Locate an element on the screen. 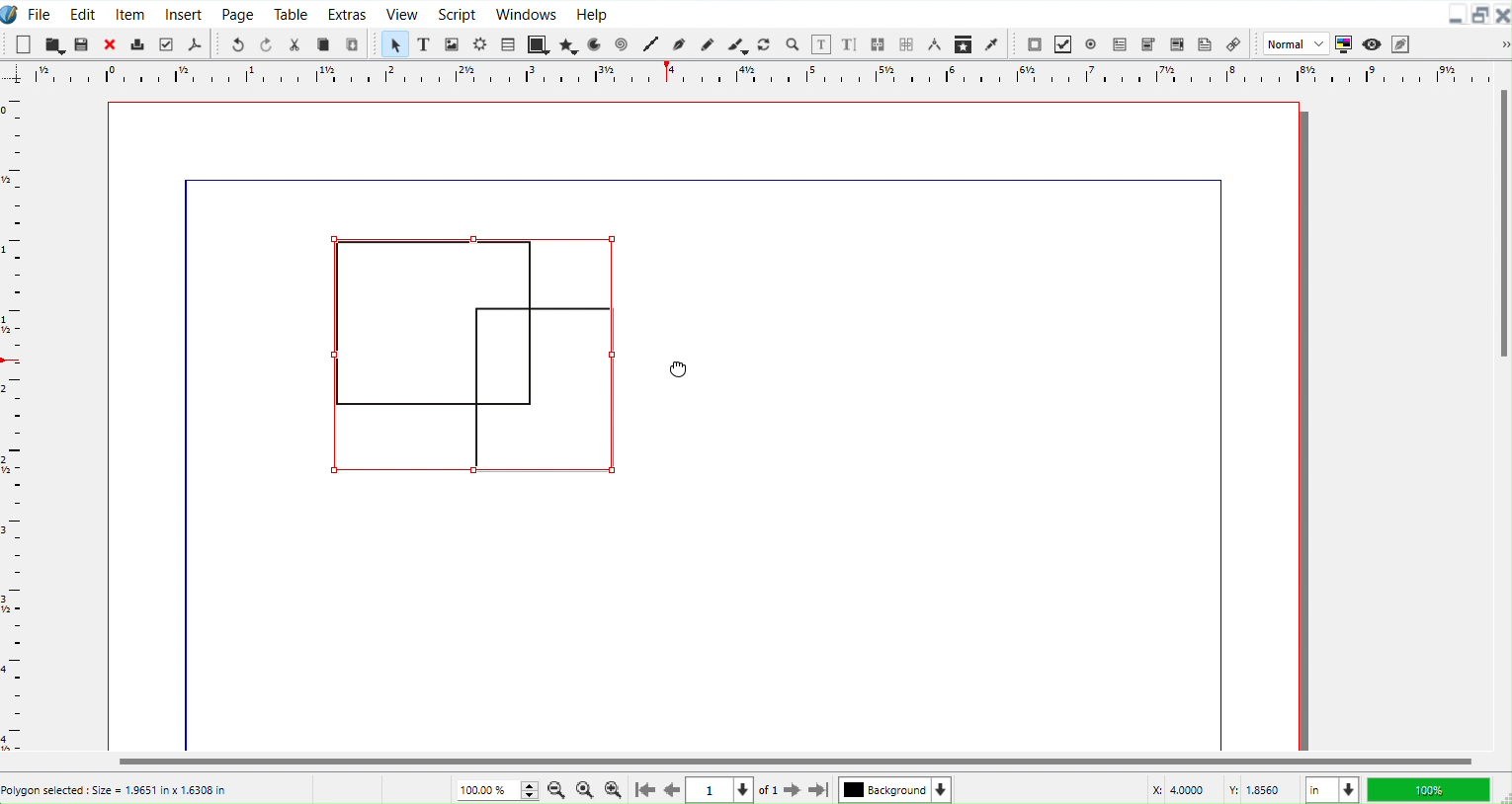 The width and height of the screenshot is (1512, 804). Arc is located at coordinates (597, 43).